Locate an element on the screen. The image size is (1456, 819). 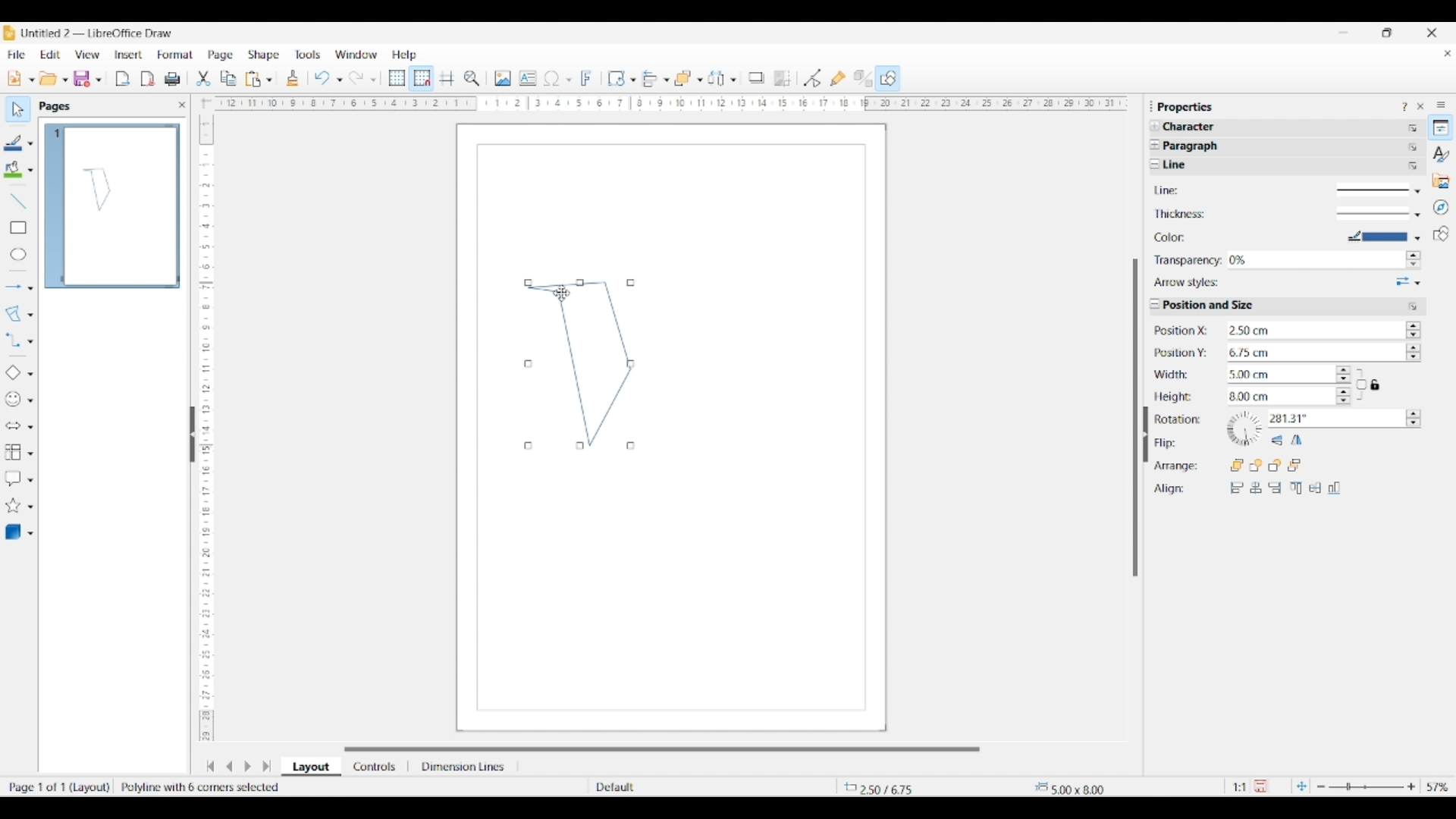
Type width is located at coordinates (1278, 375).